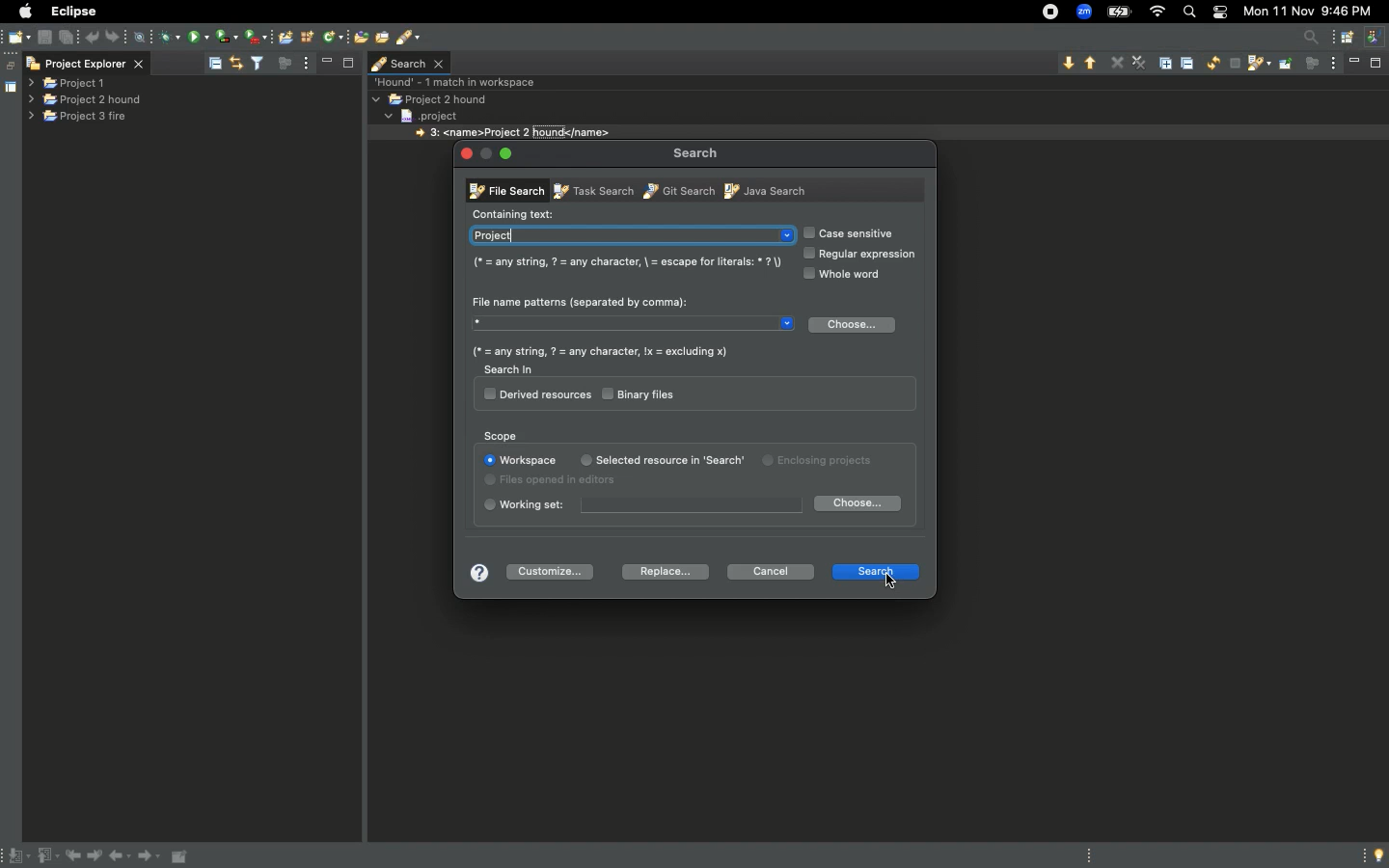 This screenshot has height=868, width=1389. What do you see at coordinates (85, 118) in the screenshot?
I see `project 3` at bounding box center [85, 118].